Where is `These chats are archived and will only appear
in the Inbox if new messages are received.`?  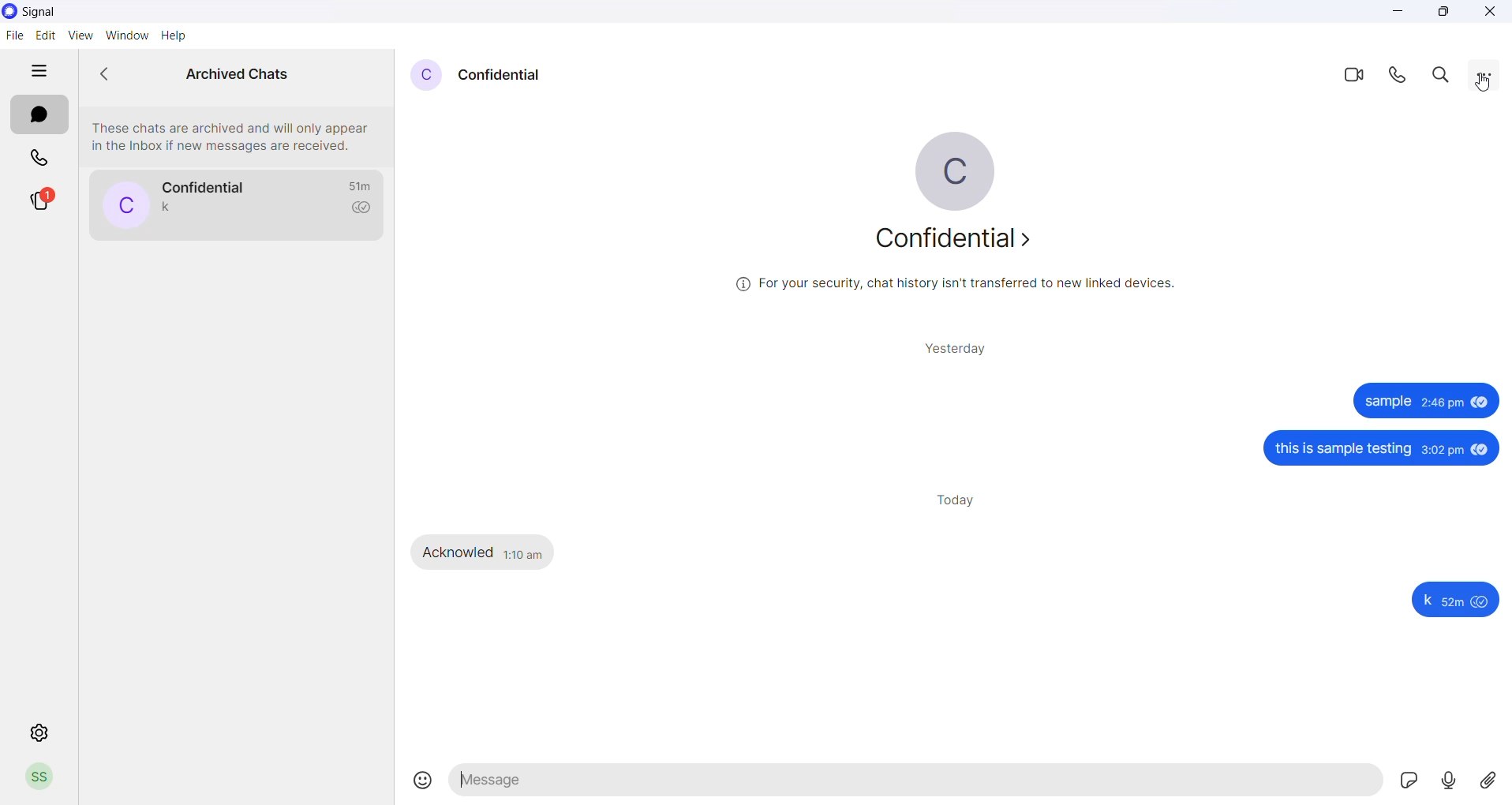
These chats are archived and will only appear
in the Inbox if new messages are received. is located at coordinates (234, 135).